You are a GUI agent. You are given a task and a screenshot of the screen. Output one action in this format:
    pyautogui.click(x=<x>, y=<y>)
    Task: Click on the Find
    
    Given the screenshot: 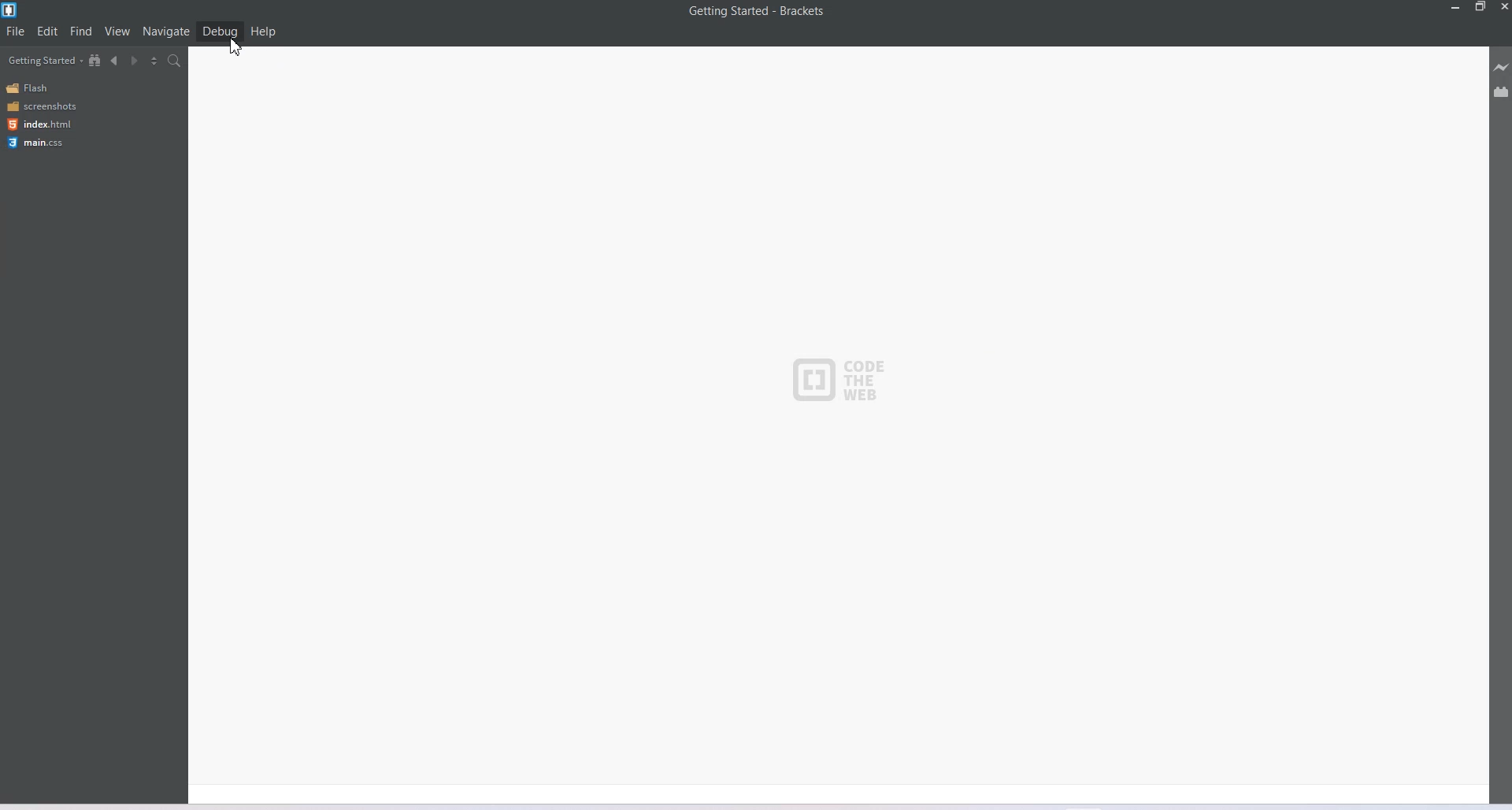 What is the action you would take?
    pyautogui.click(x=82, y=30)
    